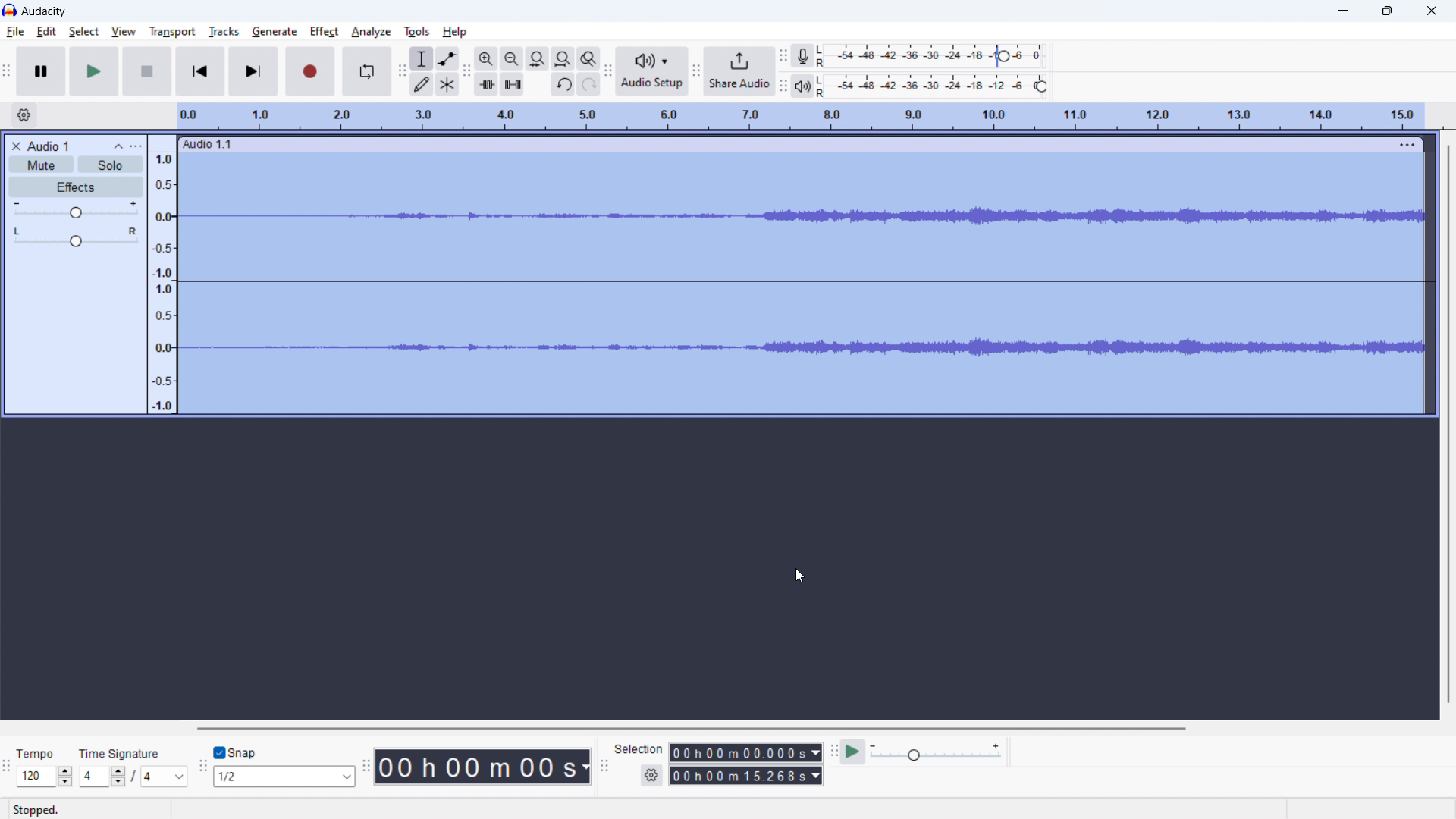 The height and width of the screenshot is (819, 1456). What do you see at coordinates (96, 71) in the screenshot?
I see `play` at bounding box center [96, 71].